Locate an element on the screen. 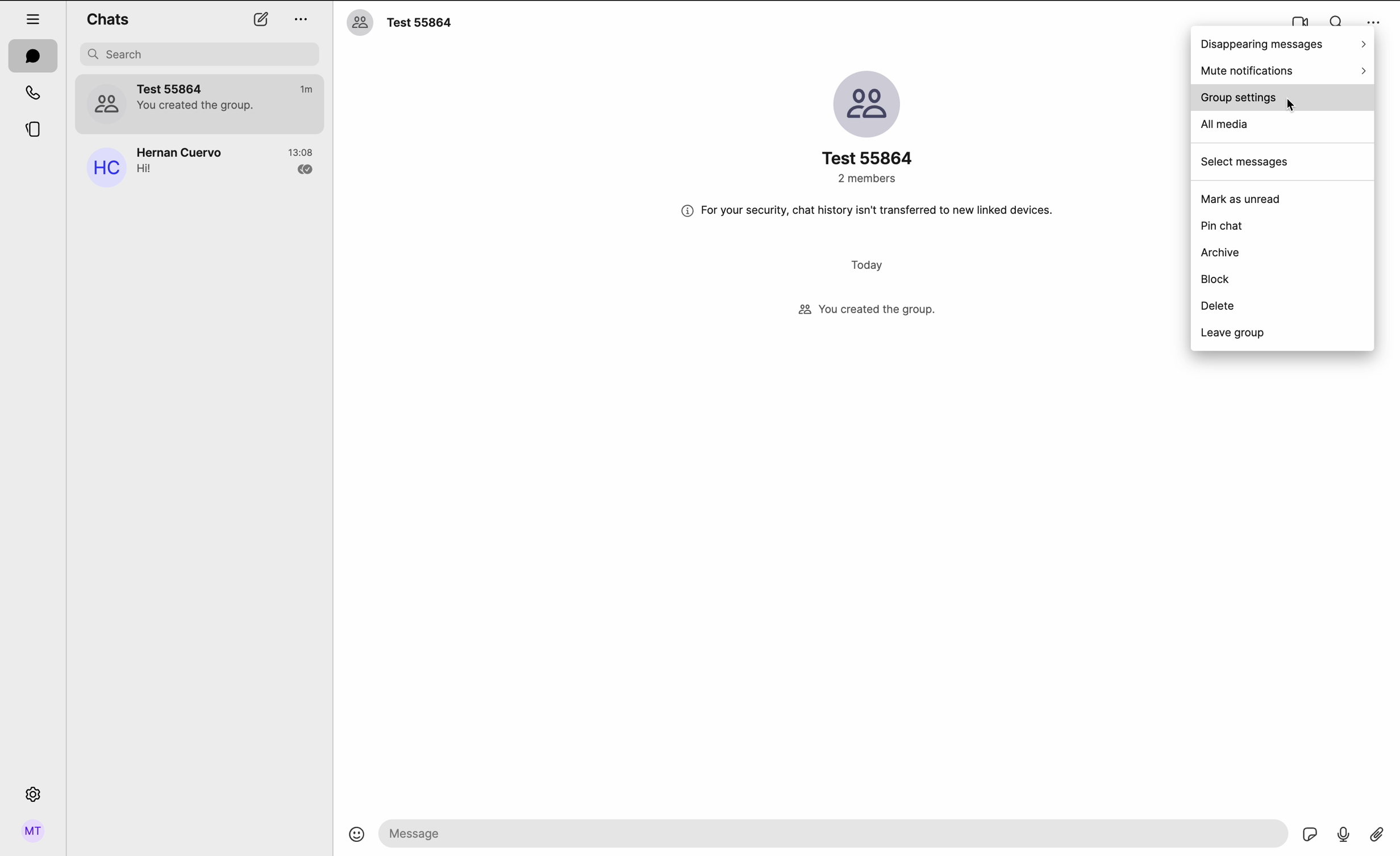 This screenshot has width=1400, height=856. attach file is located at coordinates (1376, 837).